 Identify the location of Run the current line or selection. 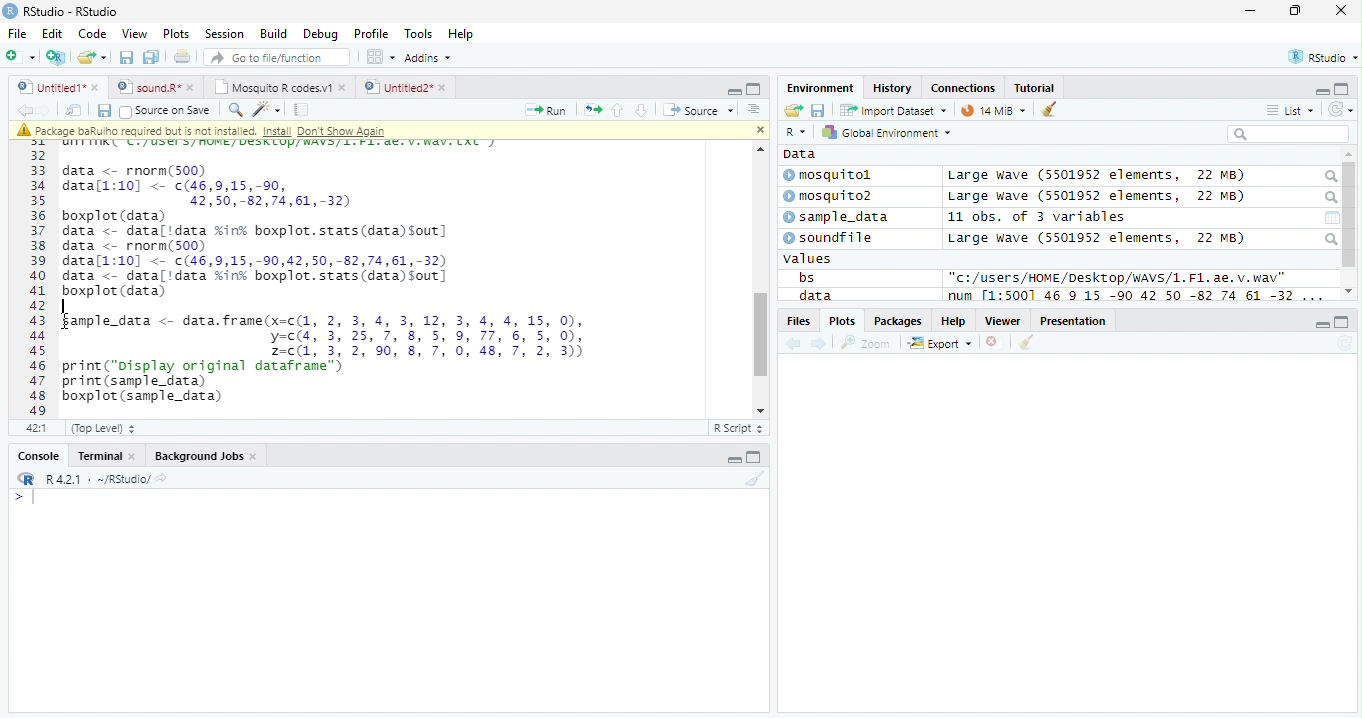
(546, 111).